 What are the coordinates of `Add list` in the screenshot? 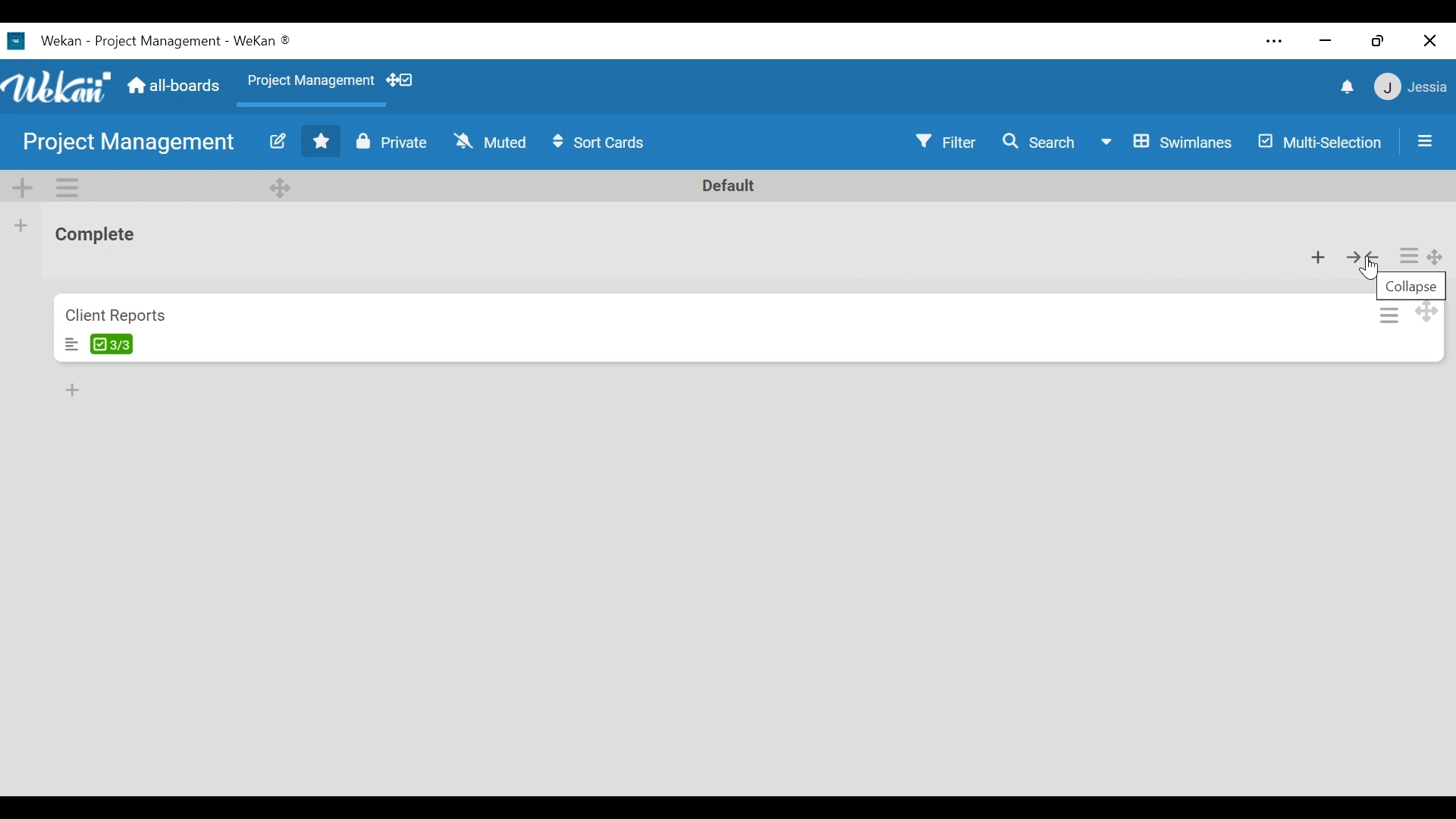 It's located at (22, 225).